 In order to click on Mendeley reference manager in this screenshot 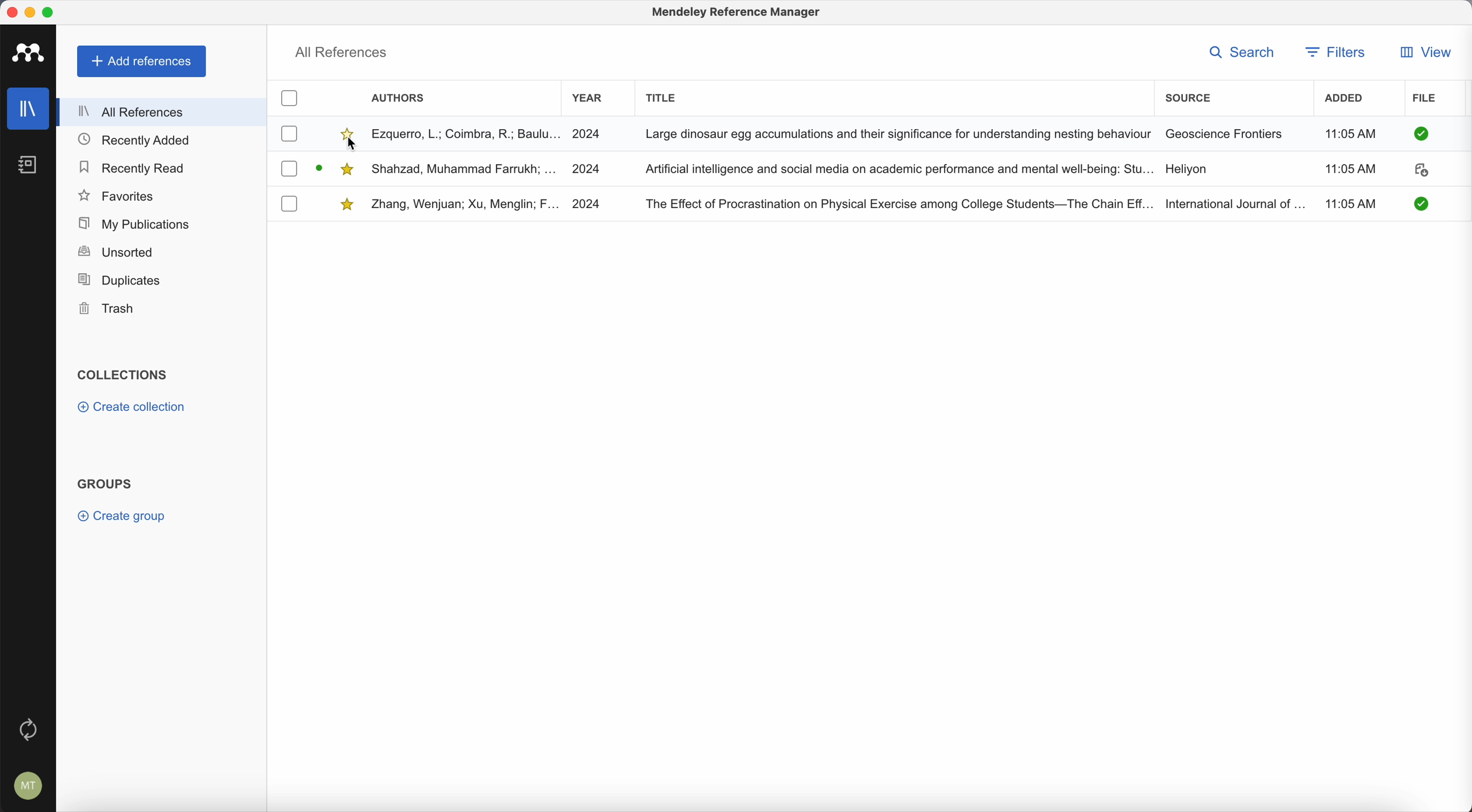, I will do `click(738, 14)`.